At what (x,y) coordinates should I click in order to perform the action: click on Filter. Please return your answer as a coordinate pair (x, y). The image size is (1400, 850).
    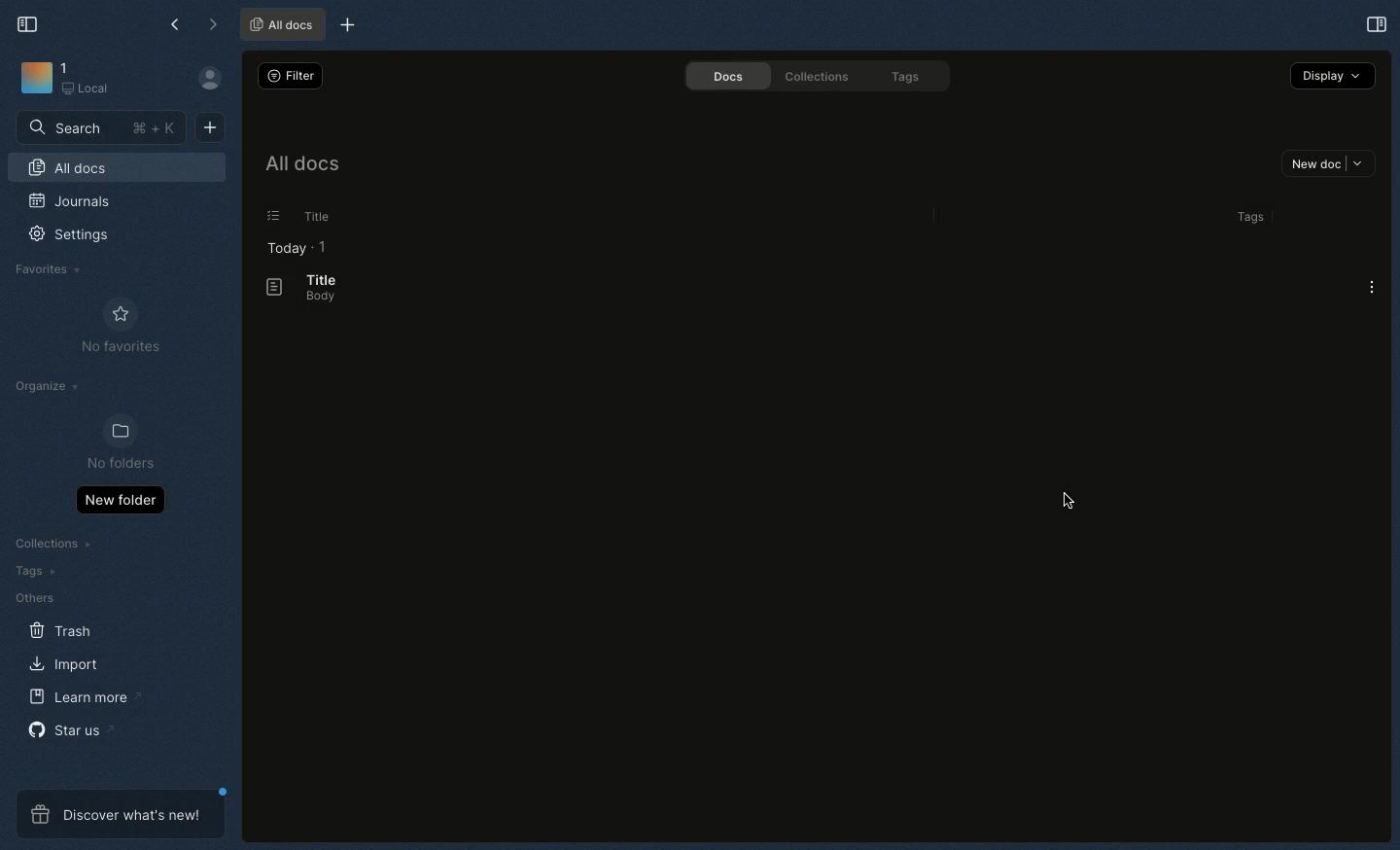
    Looking at the image, I should click on (288, 75).